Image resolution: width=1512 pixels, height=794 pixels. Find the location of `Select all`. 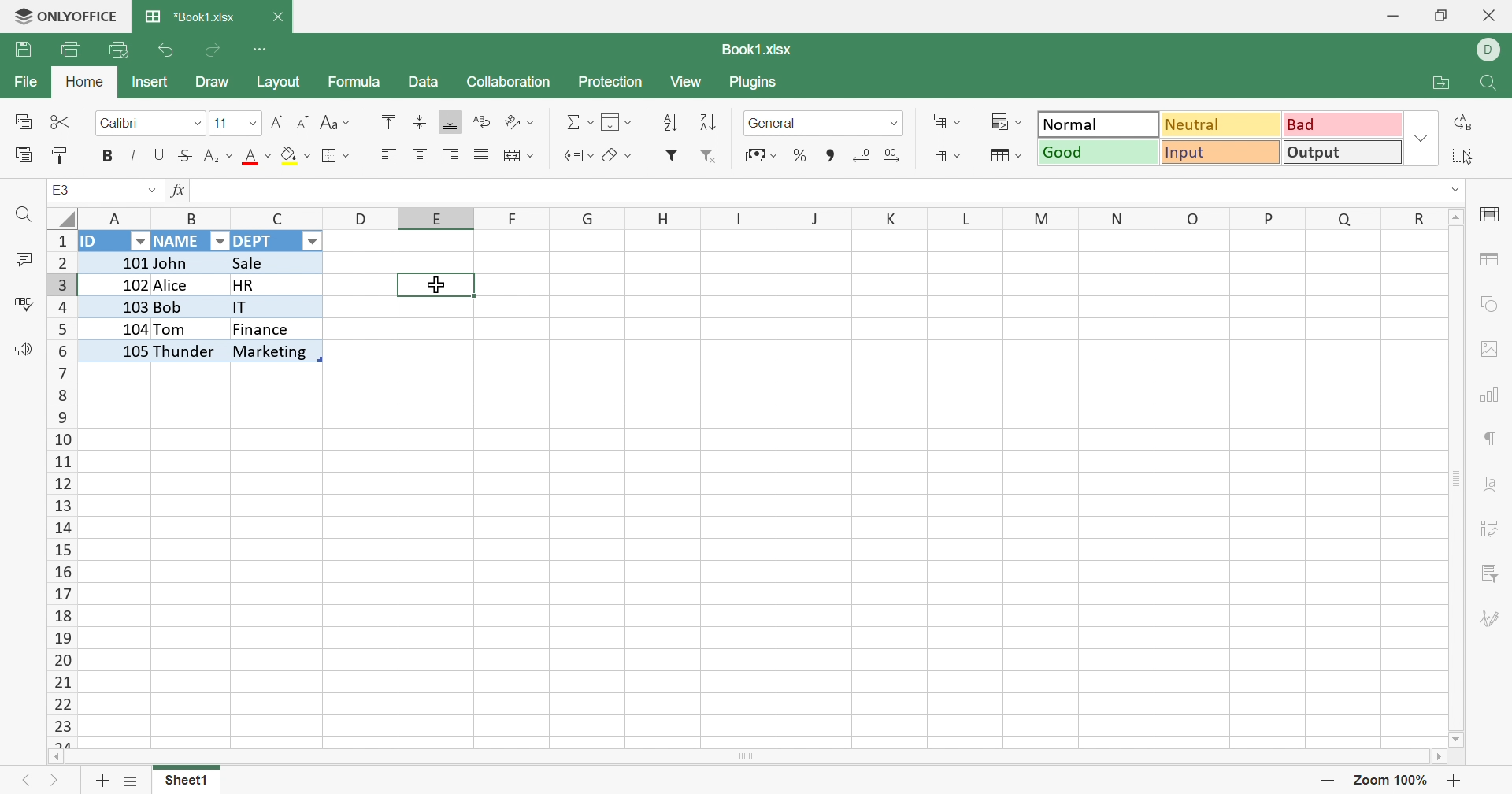

Select all is located at coordinates (1467, 155).